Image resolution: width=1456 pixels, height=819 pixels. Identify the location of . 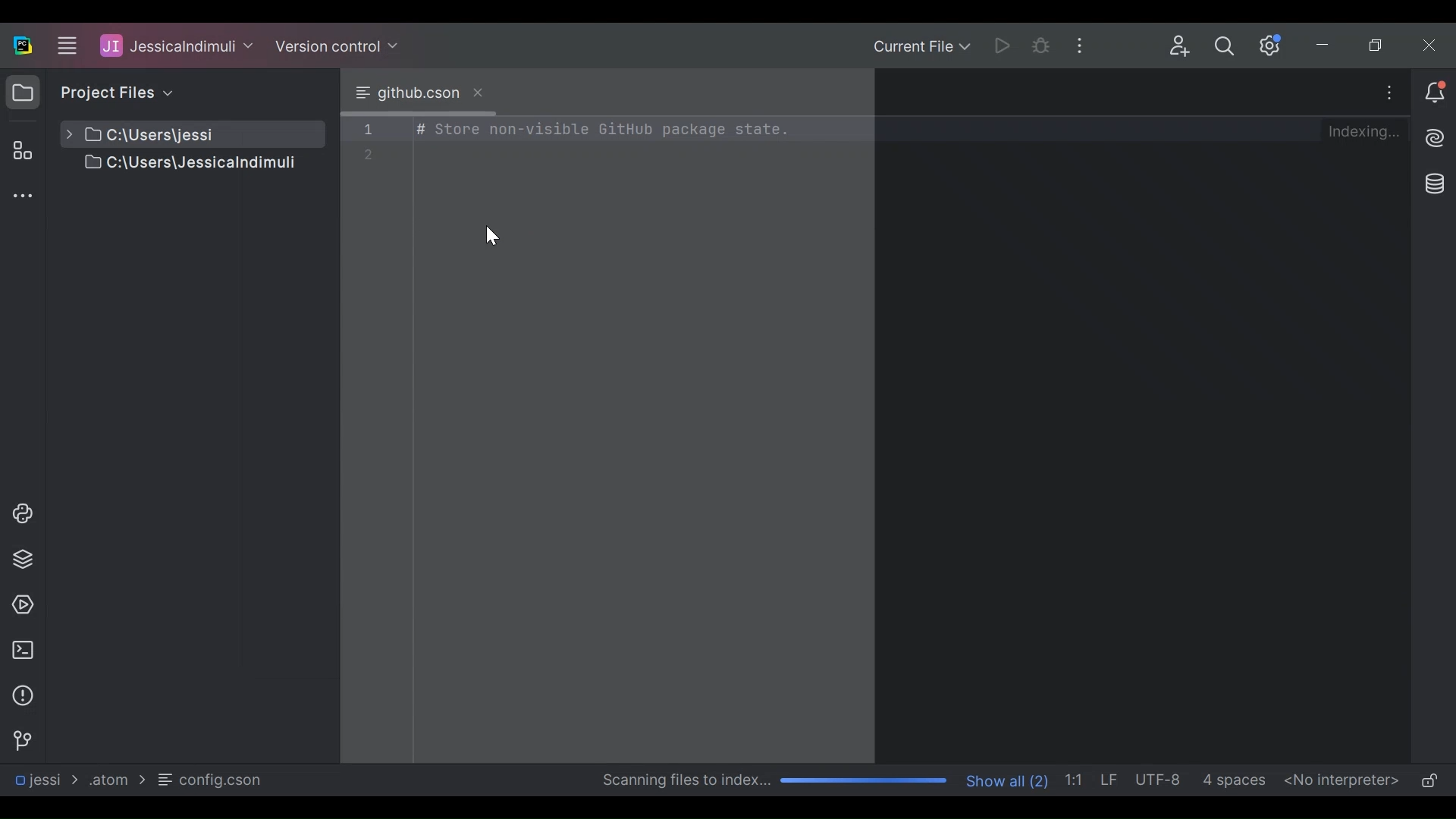
(21, 198).